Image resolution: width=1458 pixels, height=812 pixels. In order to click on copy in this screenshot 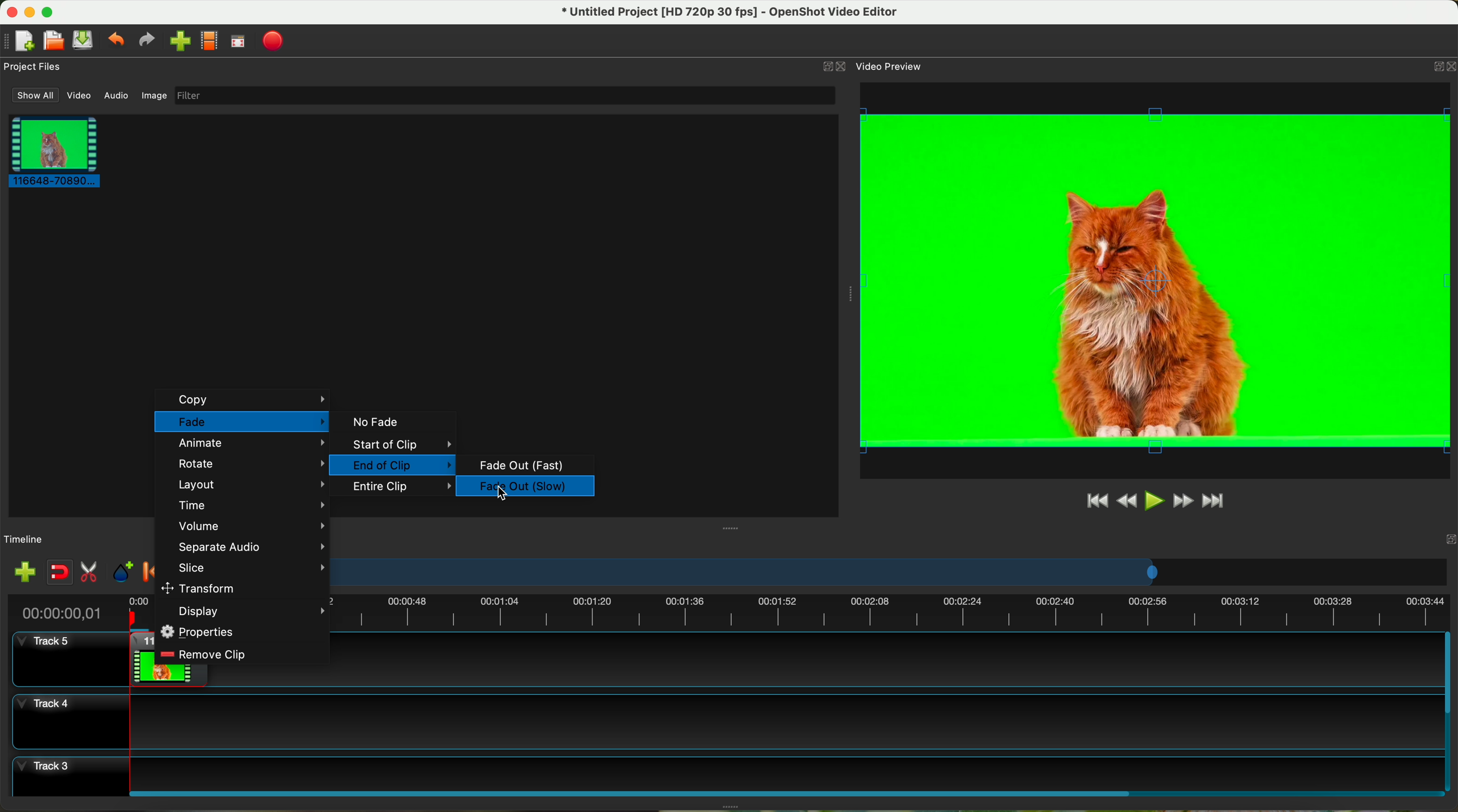, I will do `click(244, 399)`.